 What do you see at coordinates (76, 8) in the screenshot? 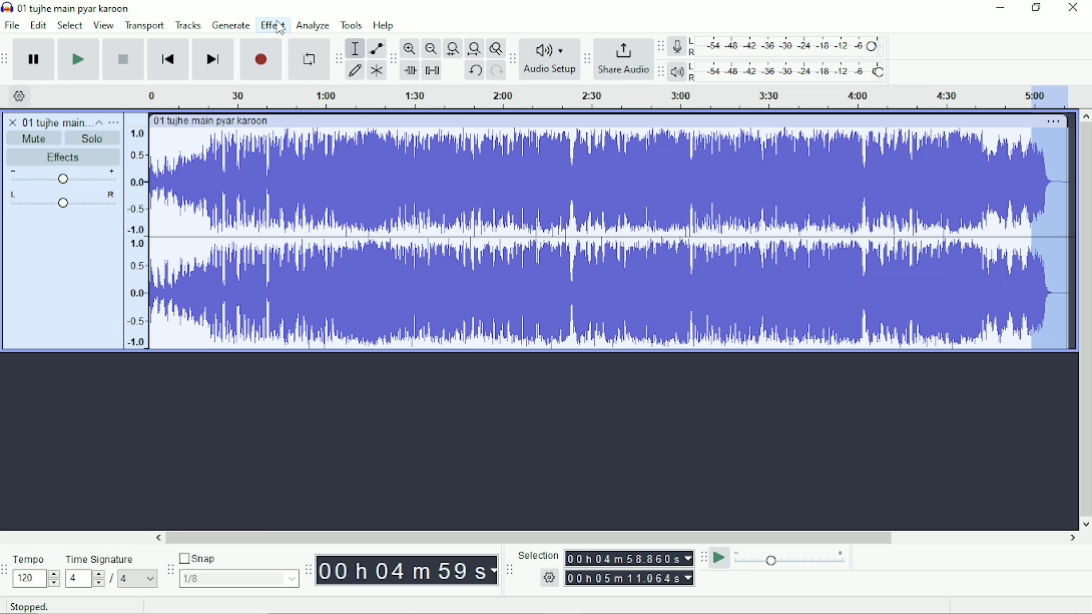
I see `01 tujhe main pyar karoon` at bounding box center [76, 8].